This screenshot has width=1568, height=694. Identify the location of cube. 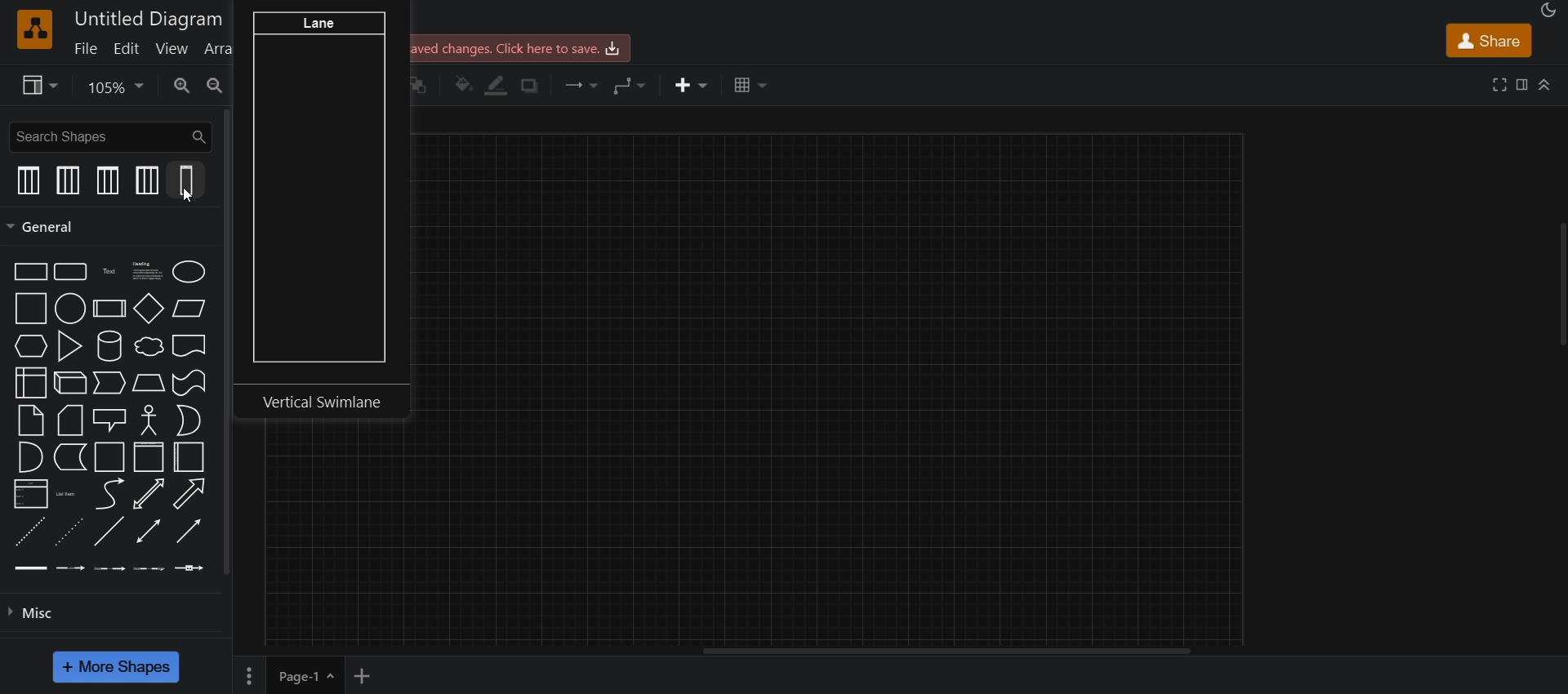
(67, 385).